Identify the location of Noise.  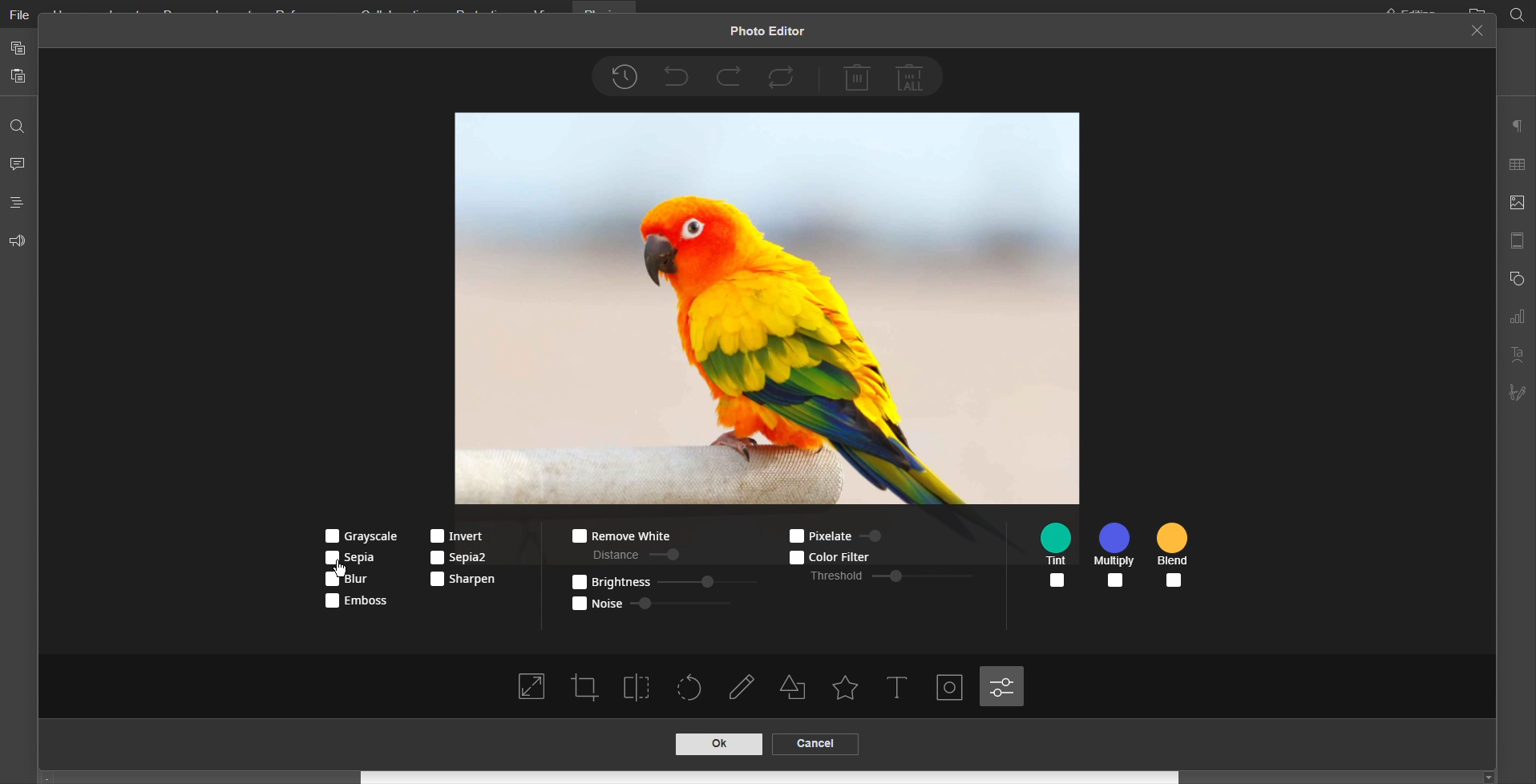
(655, 601).